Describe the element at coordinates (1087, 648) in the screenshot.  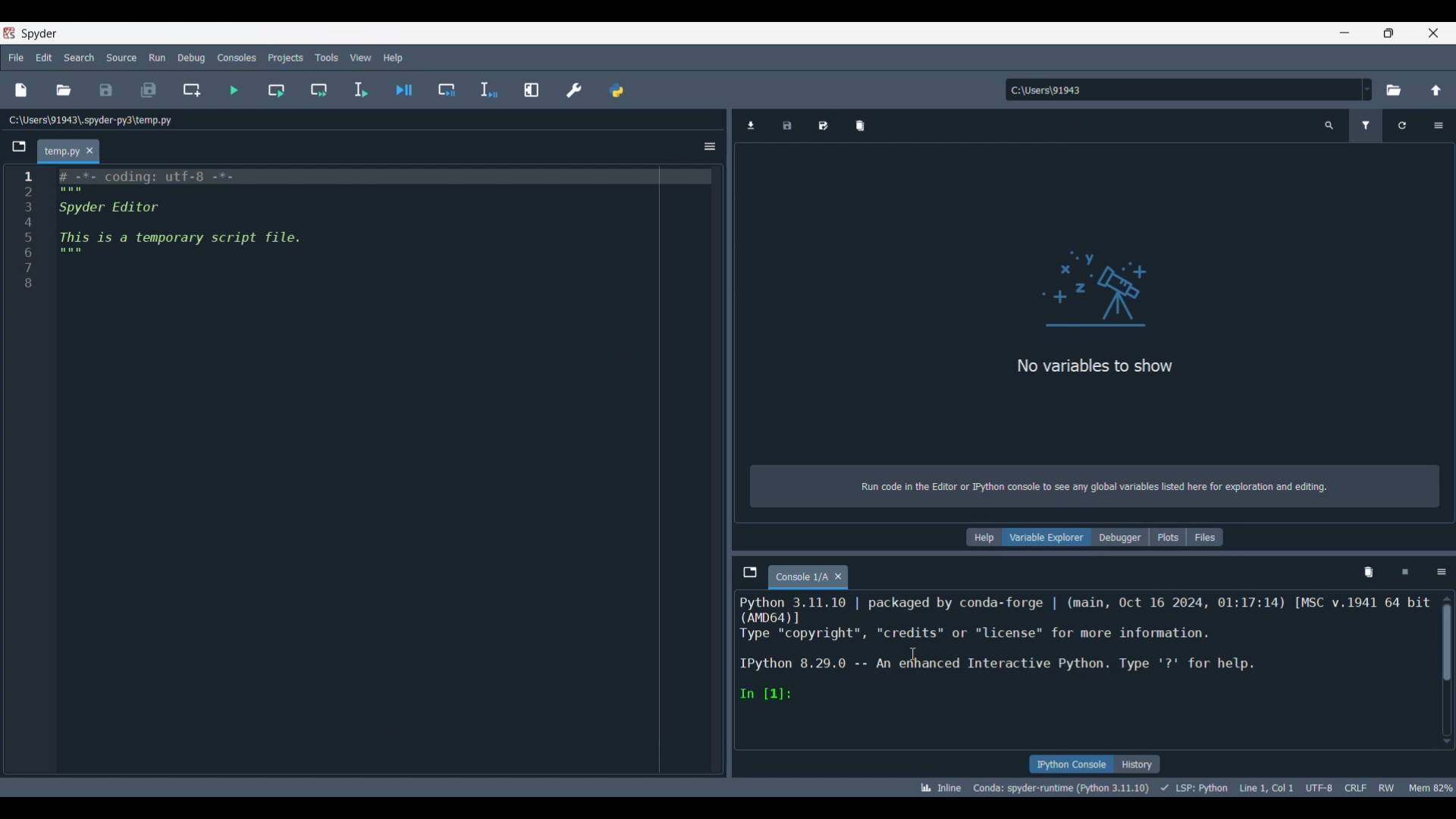
I see `Code details` at that location.